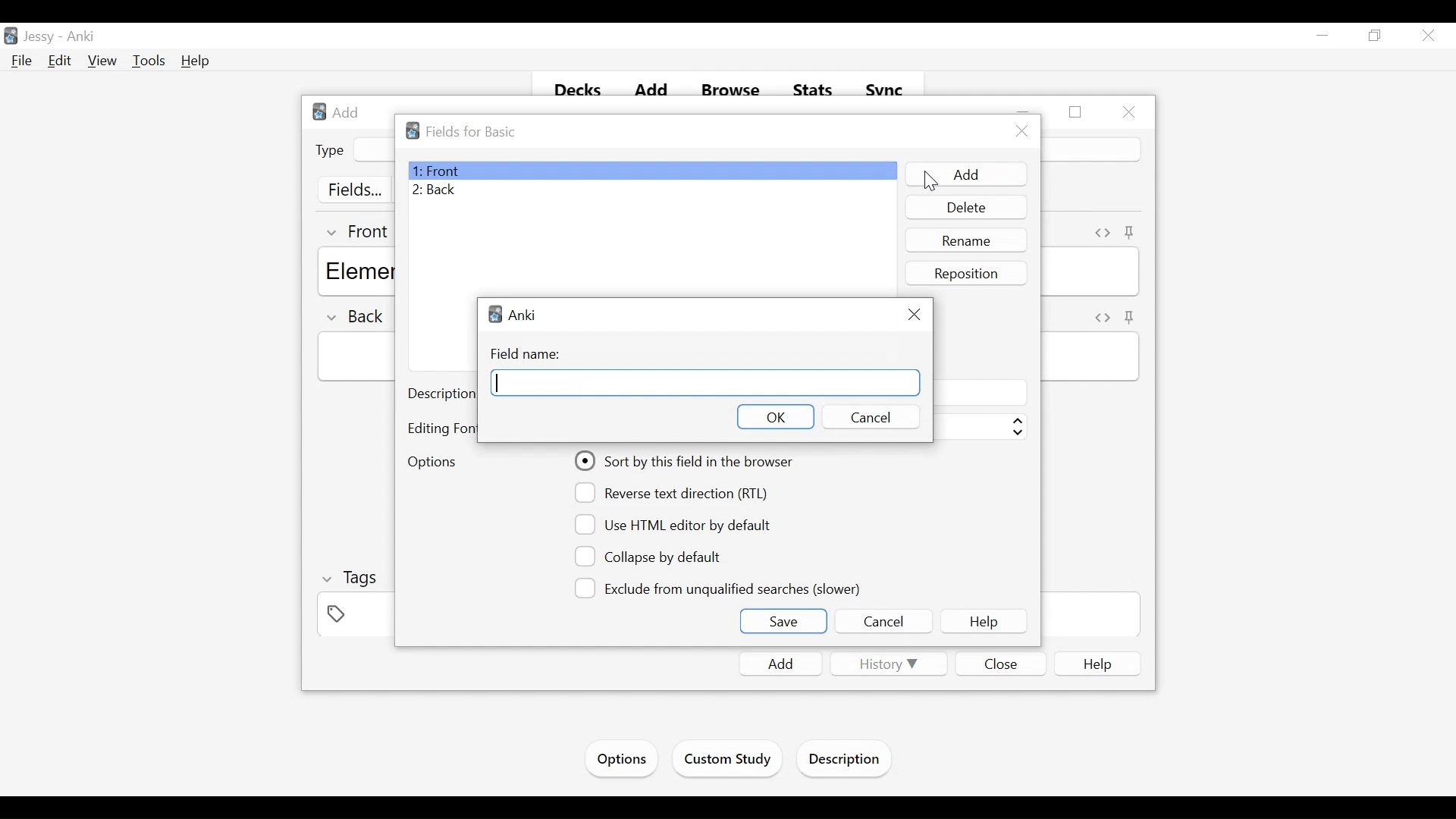 The height and width of the screenshot is (819, 1456). What do you see at coordinates (966, 207) in the screenshot?
I see `Delete` at bounding box center [966, 207].